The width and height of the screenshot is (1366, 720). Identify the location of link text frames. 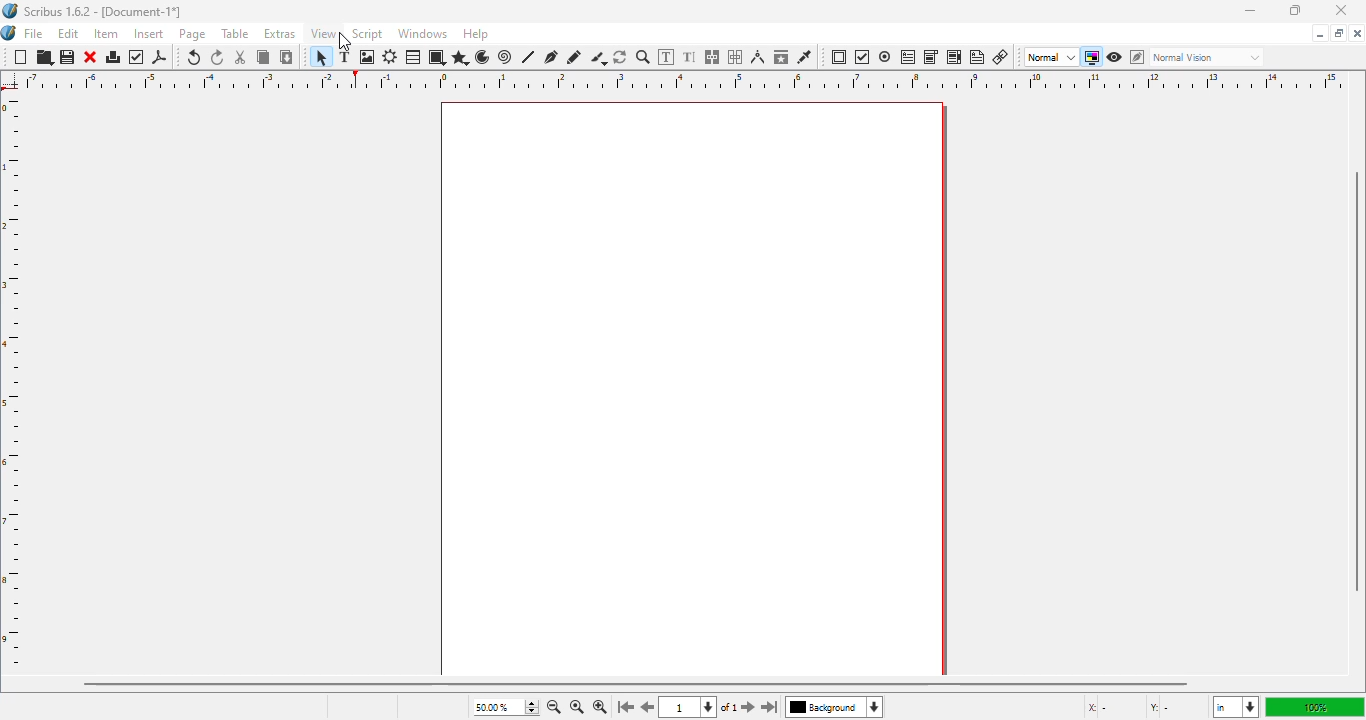
(713, 57).